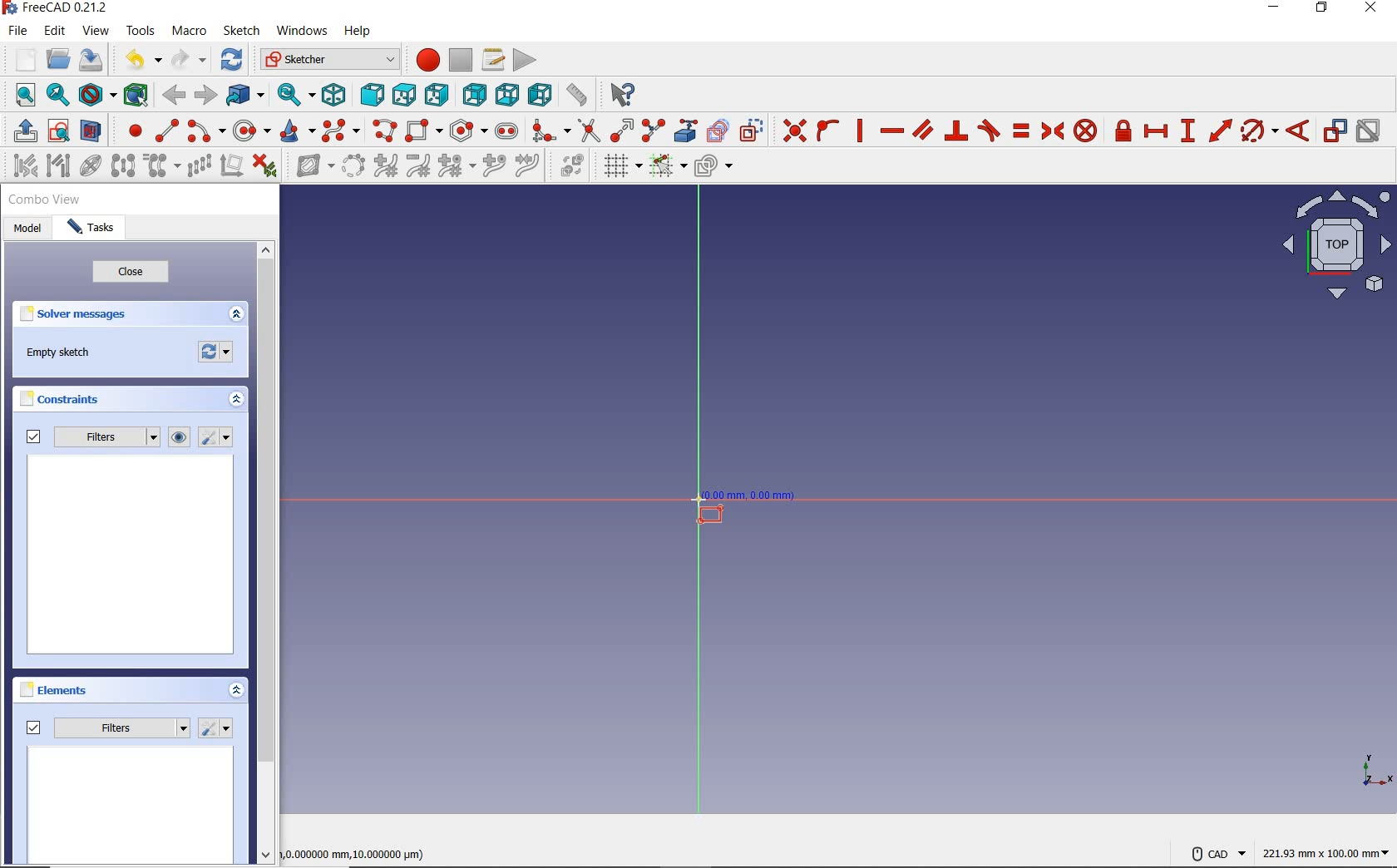 The width and height of the screenshot is (1397, 868). Describe the element at coordinates (205, 132) in the screenshot. I see `create arc` at that location.